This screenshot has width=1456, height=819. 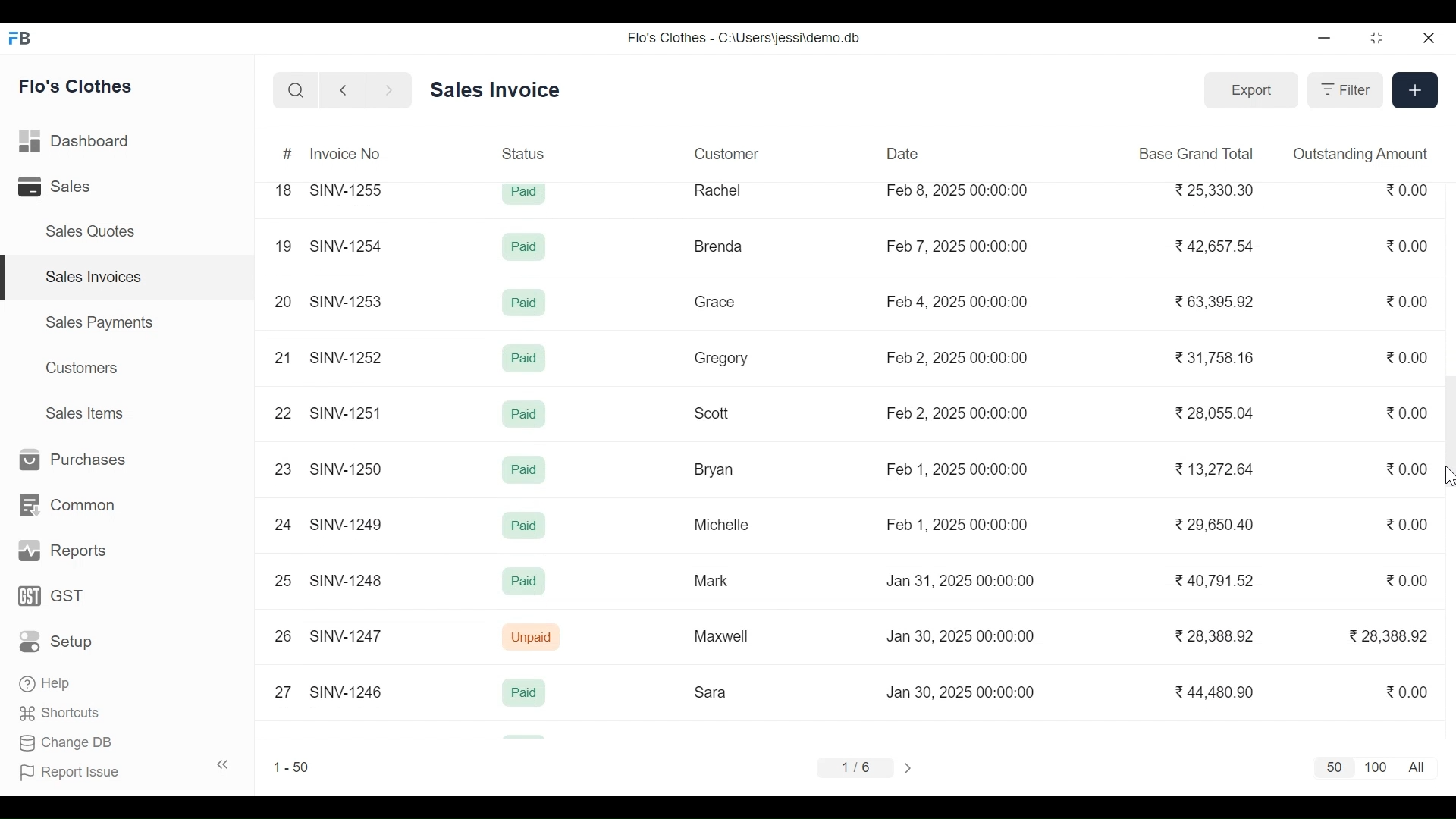 I want to click on 63,395.92, so click(x=1217, y=301).